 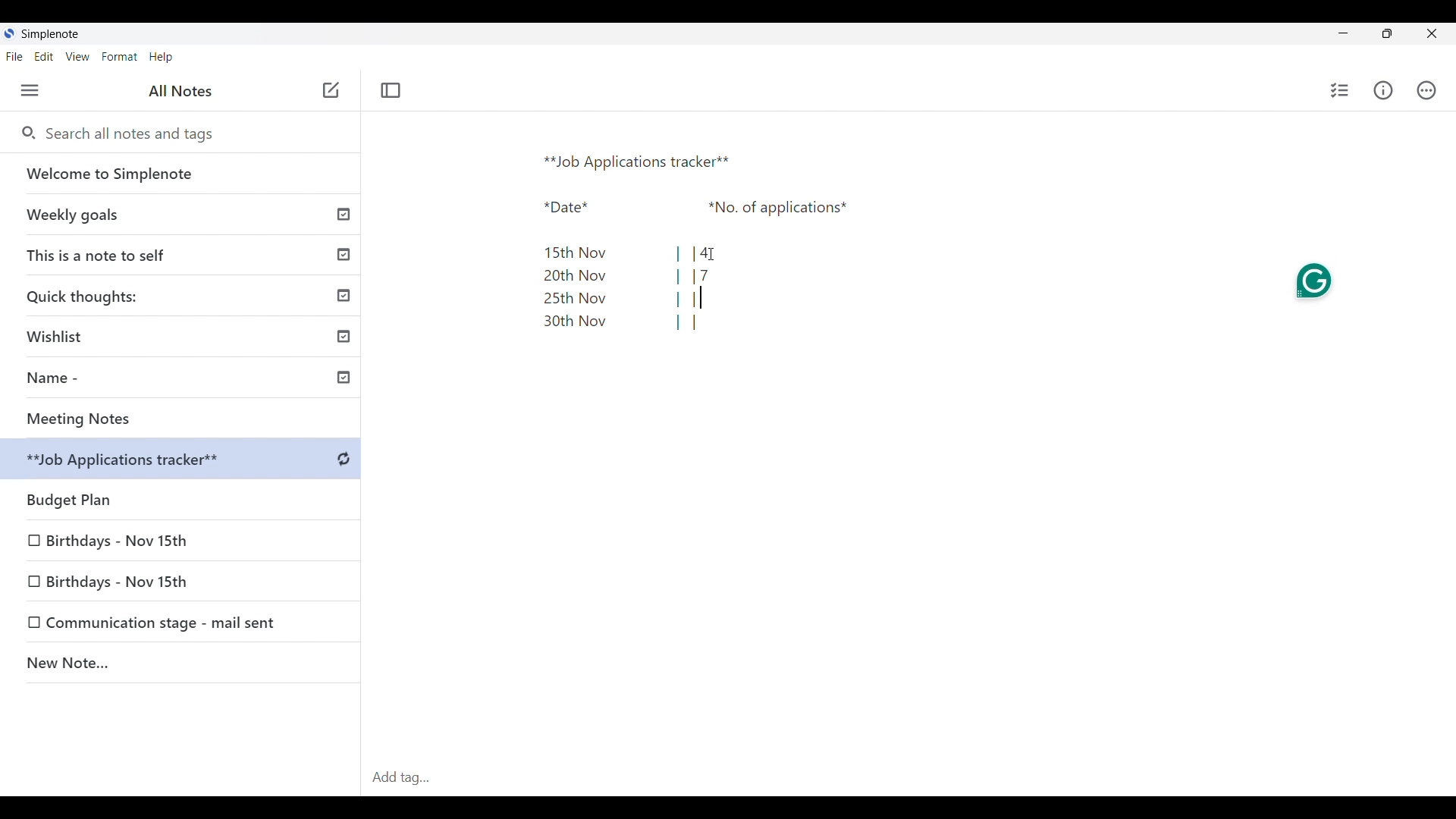 I want to click on Weekly goals, so click(x=180, y=214).